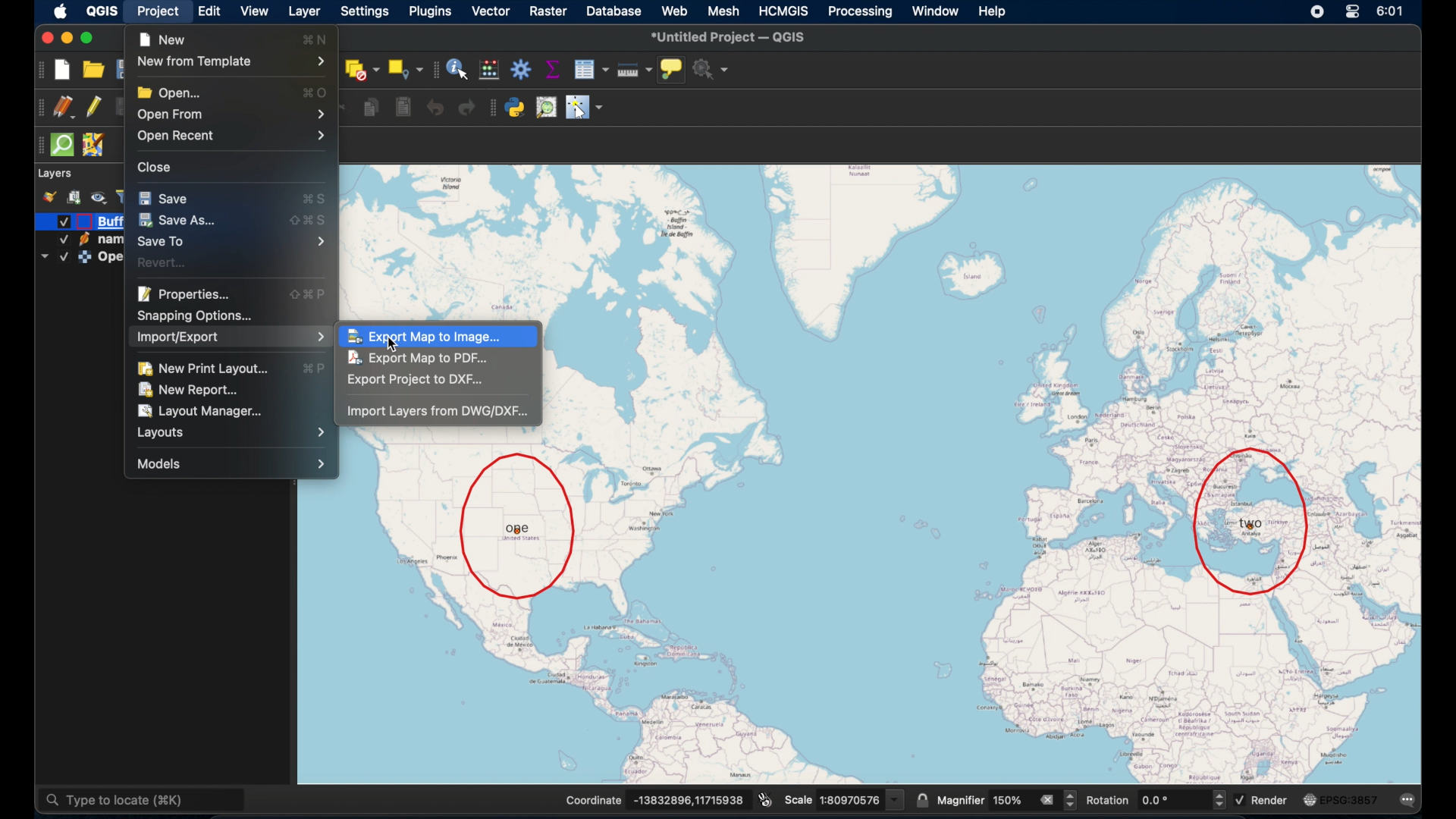 The height and width of the screenshot is (819, 1456). Describe the element at coordinates (799, 800) in the screenshot. I see `Scale` at that location.